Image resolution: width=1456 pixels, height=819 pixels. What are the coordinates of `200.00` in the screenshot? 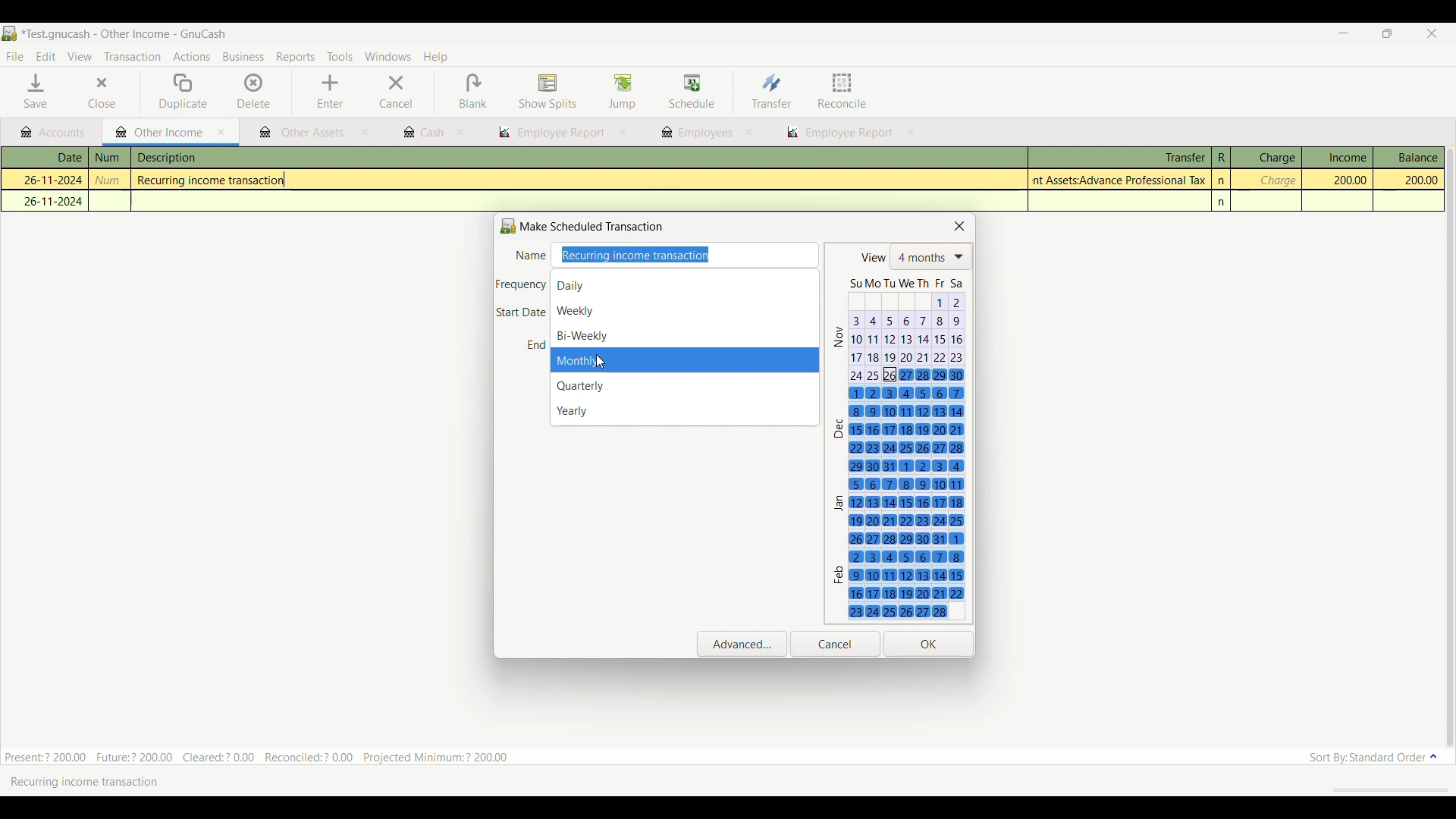 It's located at (1342, 180).